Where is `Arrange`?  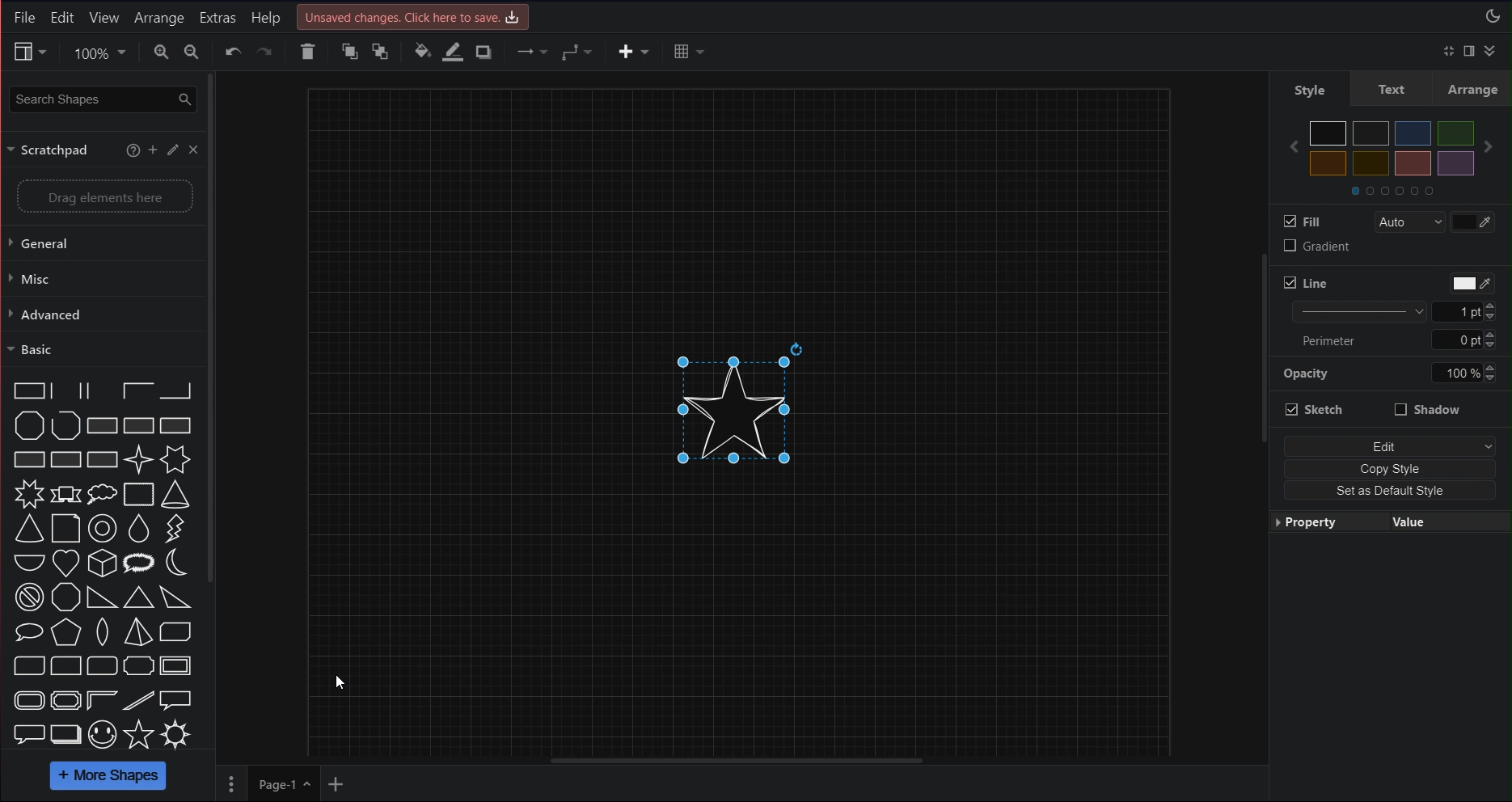
Arrange is located at coordinates (161, 18).